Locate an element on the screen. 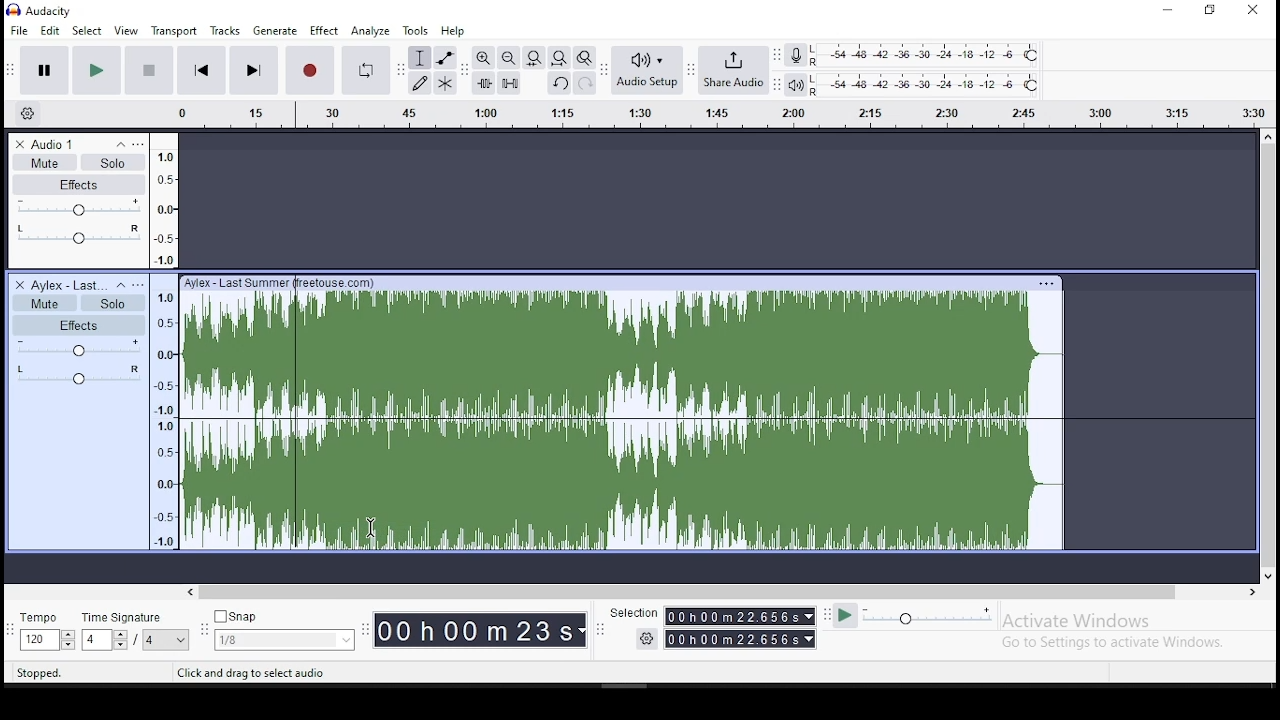 This screenshot has width=1280, height=720. delete track is located at coordinates (21, 285).